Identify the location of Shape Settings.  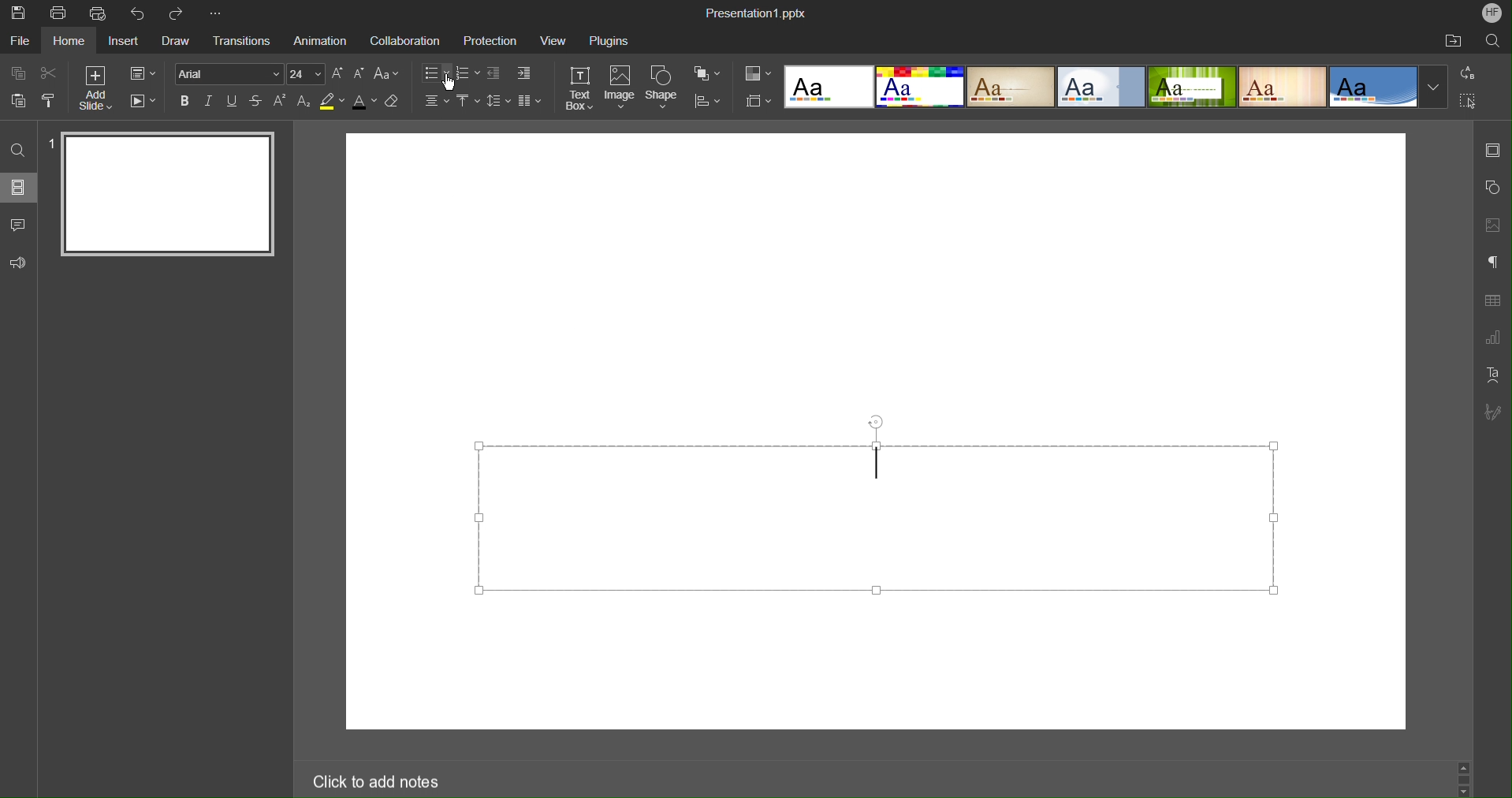
(1493, 188).